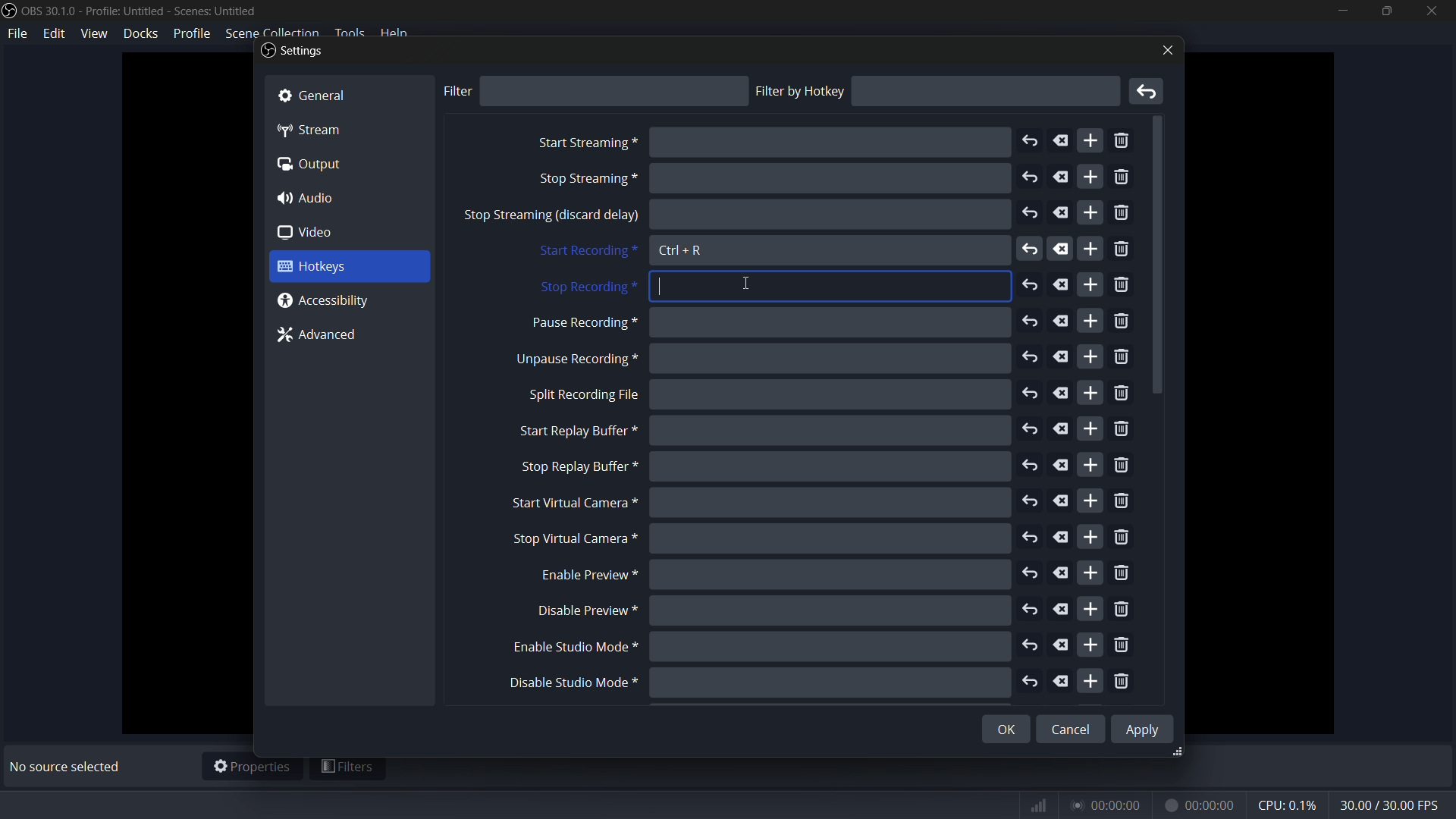  Describe the element at coordinates (312, 166) in the screenshot. I see `(a Output` at that location.